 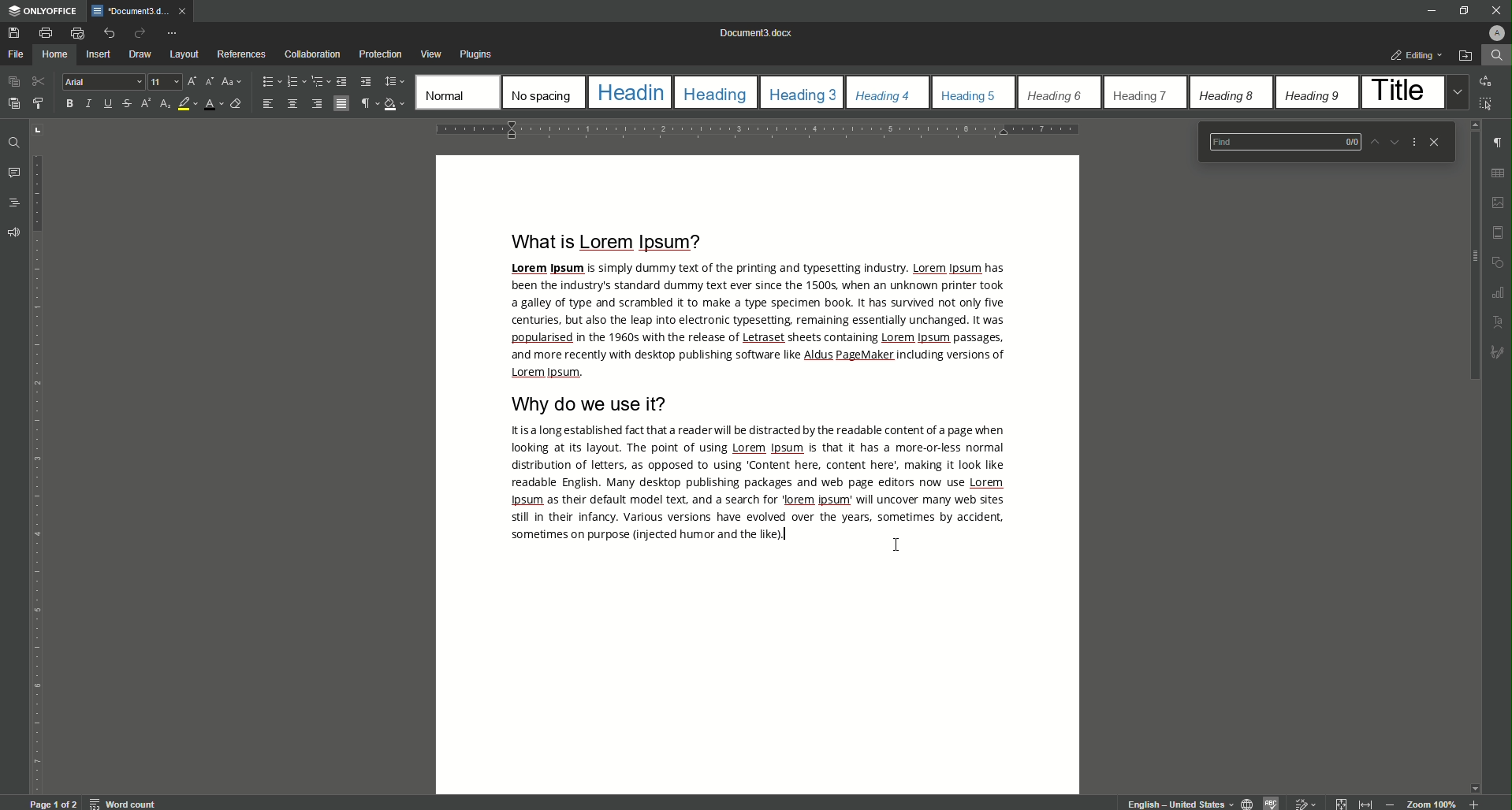 I want to click on Increment Font Size, so click(x=190, y=82).